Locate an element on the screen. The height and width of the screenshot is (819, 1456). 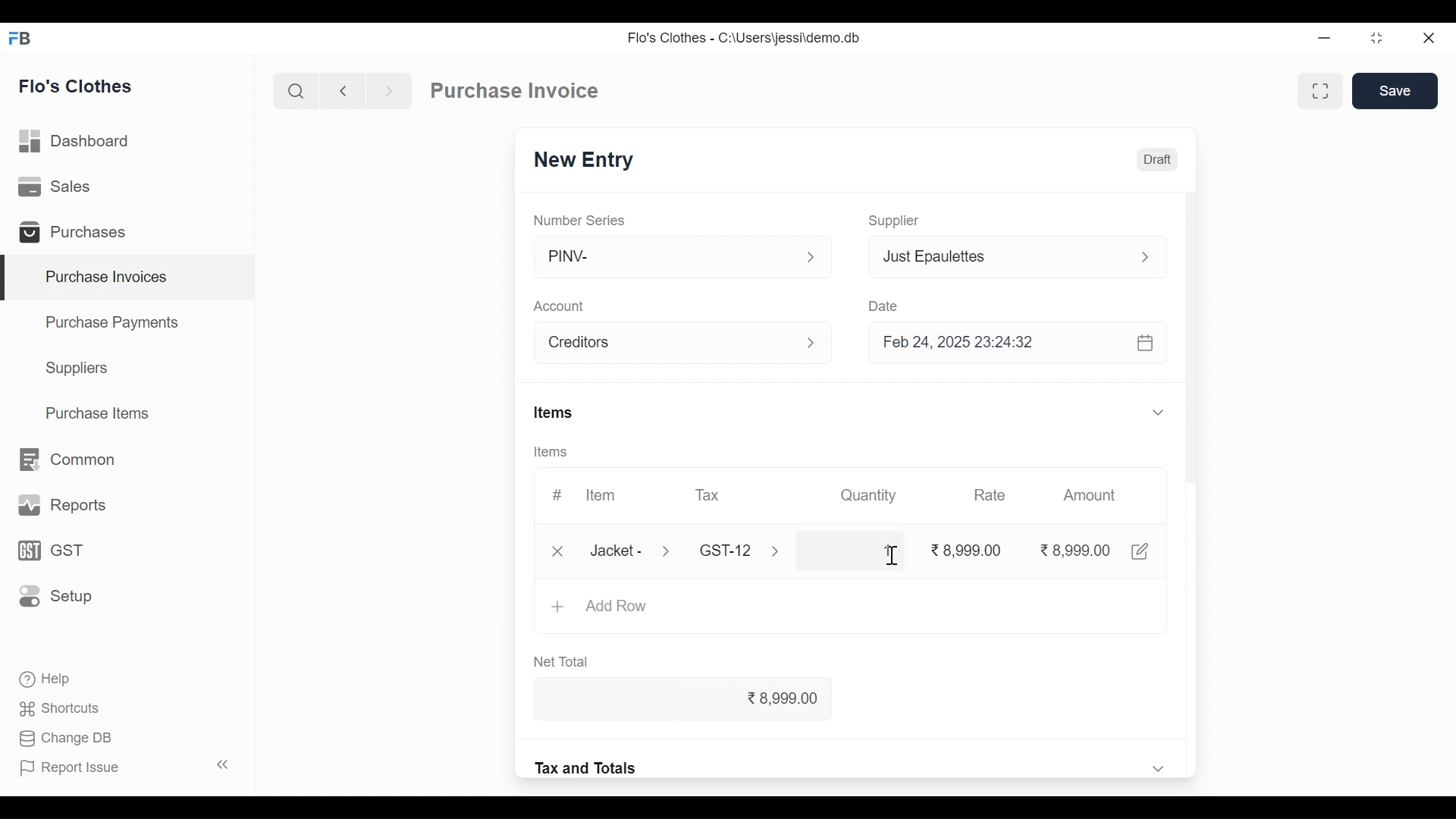
Purchase Items is located at coordinates (101, 413).